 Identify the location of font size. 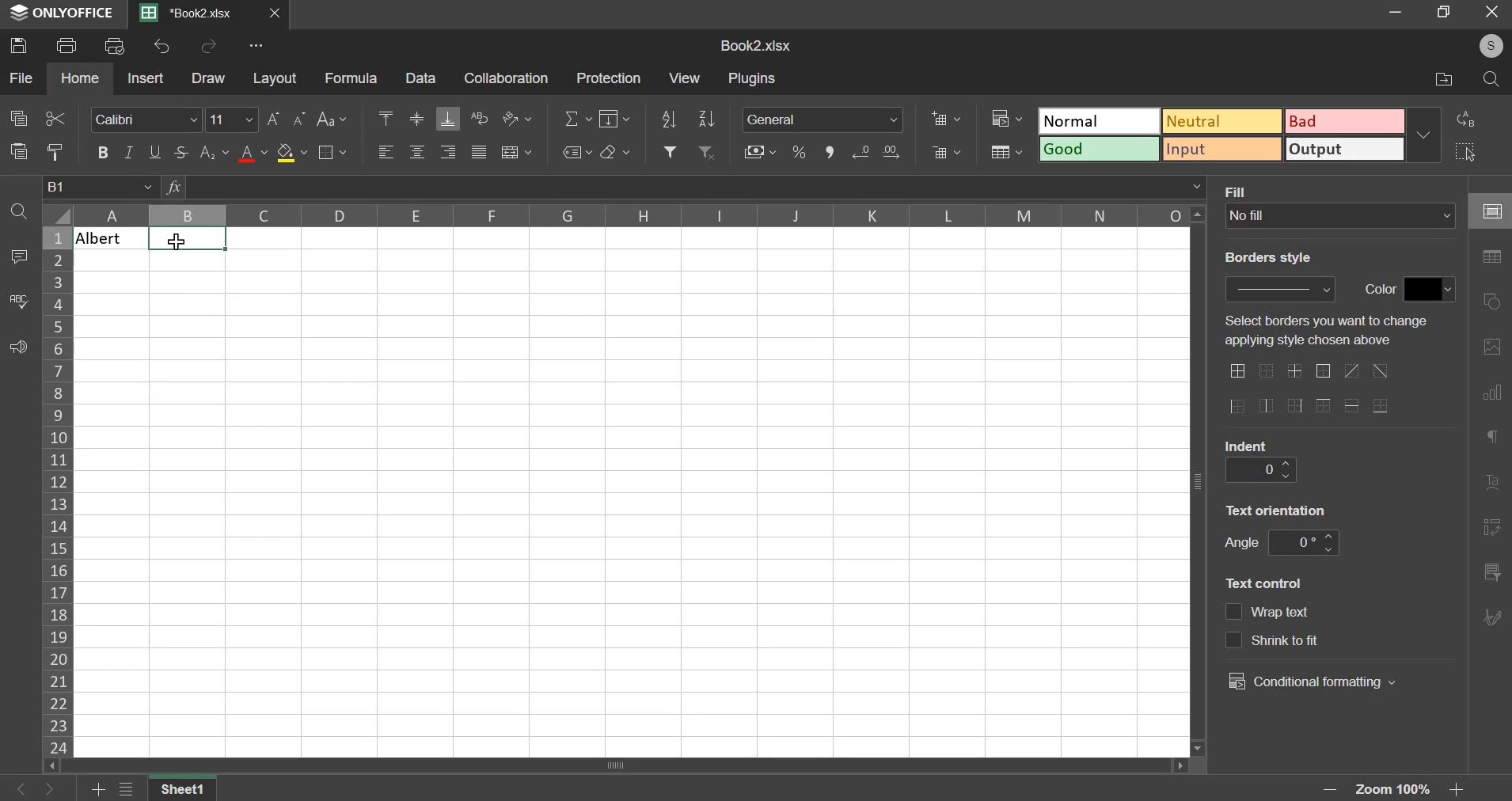
(234, 119).